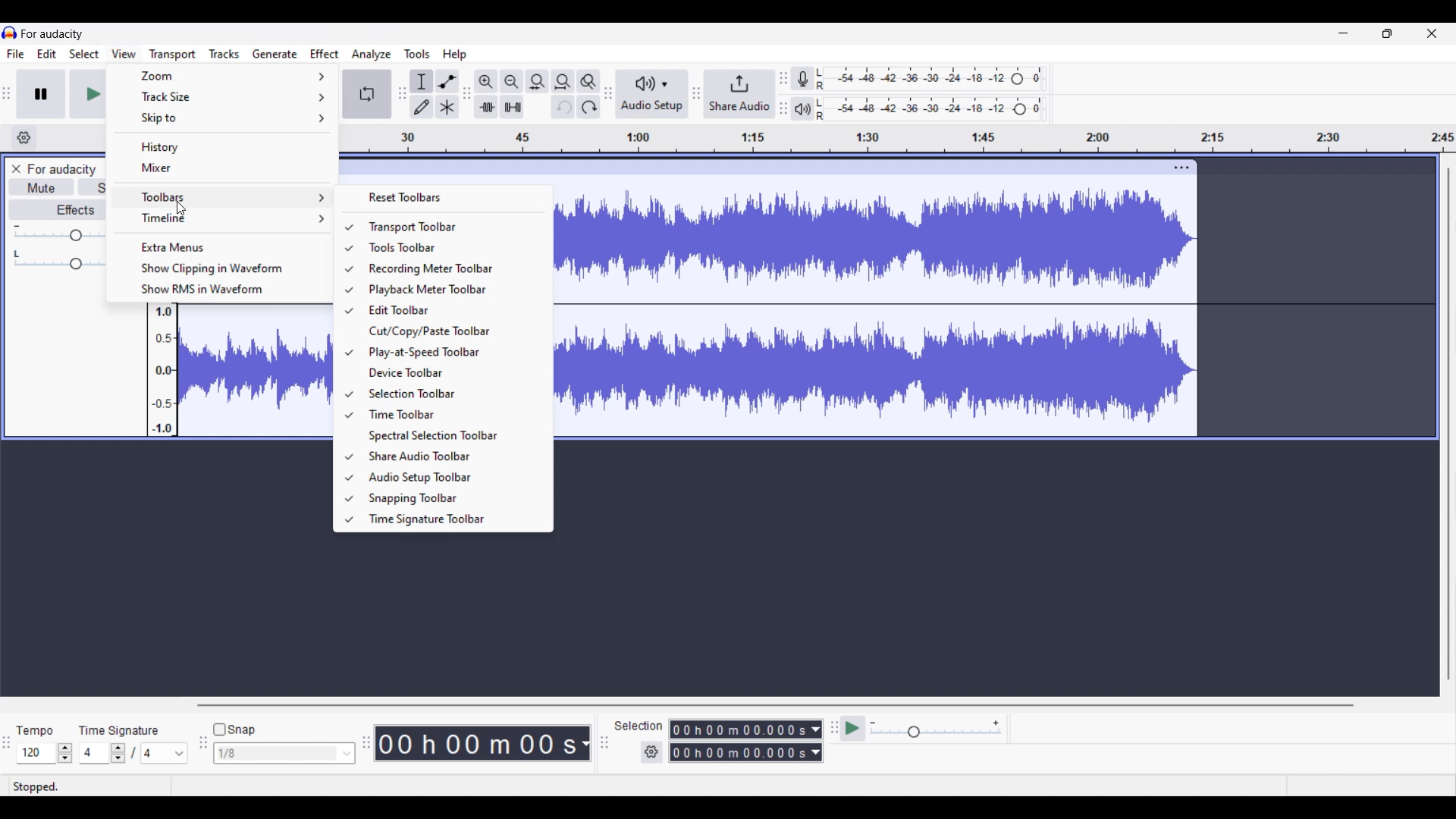 This screenshot has height=819, width=1456. I want to click on Undo, so click(563, 106).